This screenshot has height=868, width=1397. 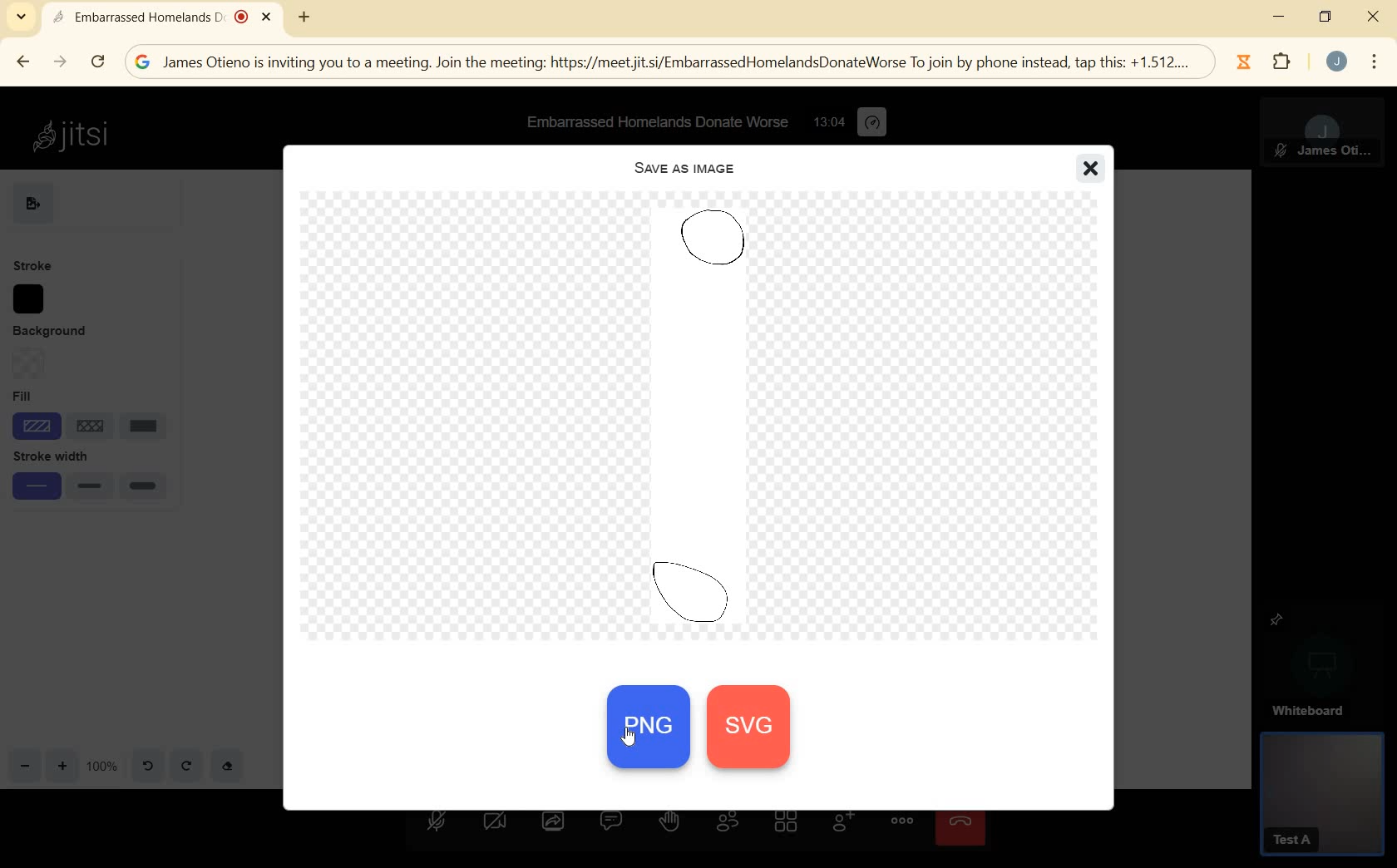 I want to click on BACKGROUND, so click(x=63, y=334).